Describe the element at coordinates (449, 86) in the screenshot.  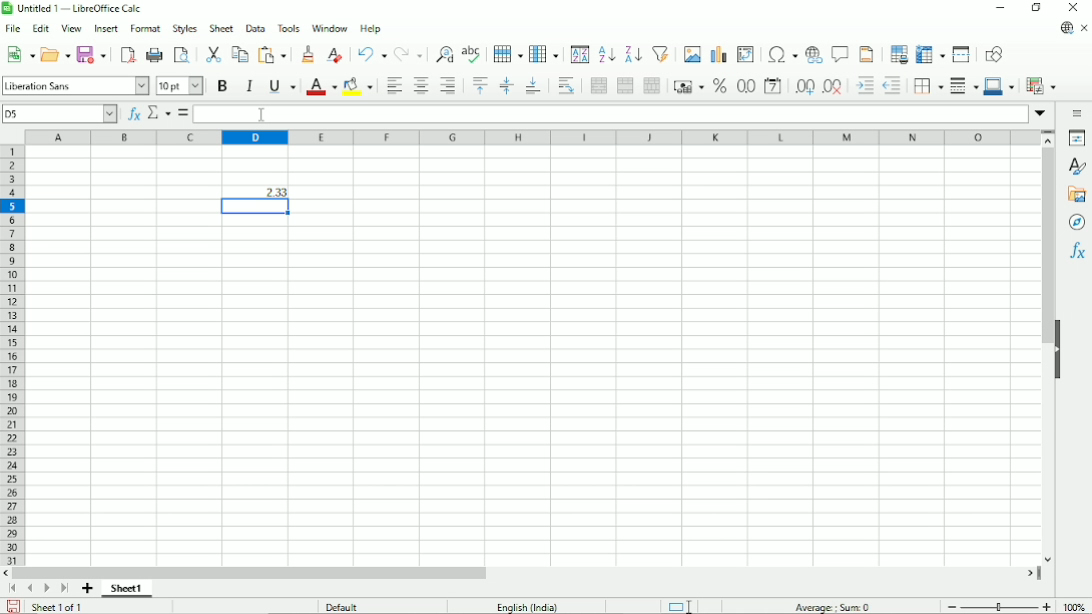
I see `Align right` at that location.